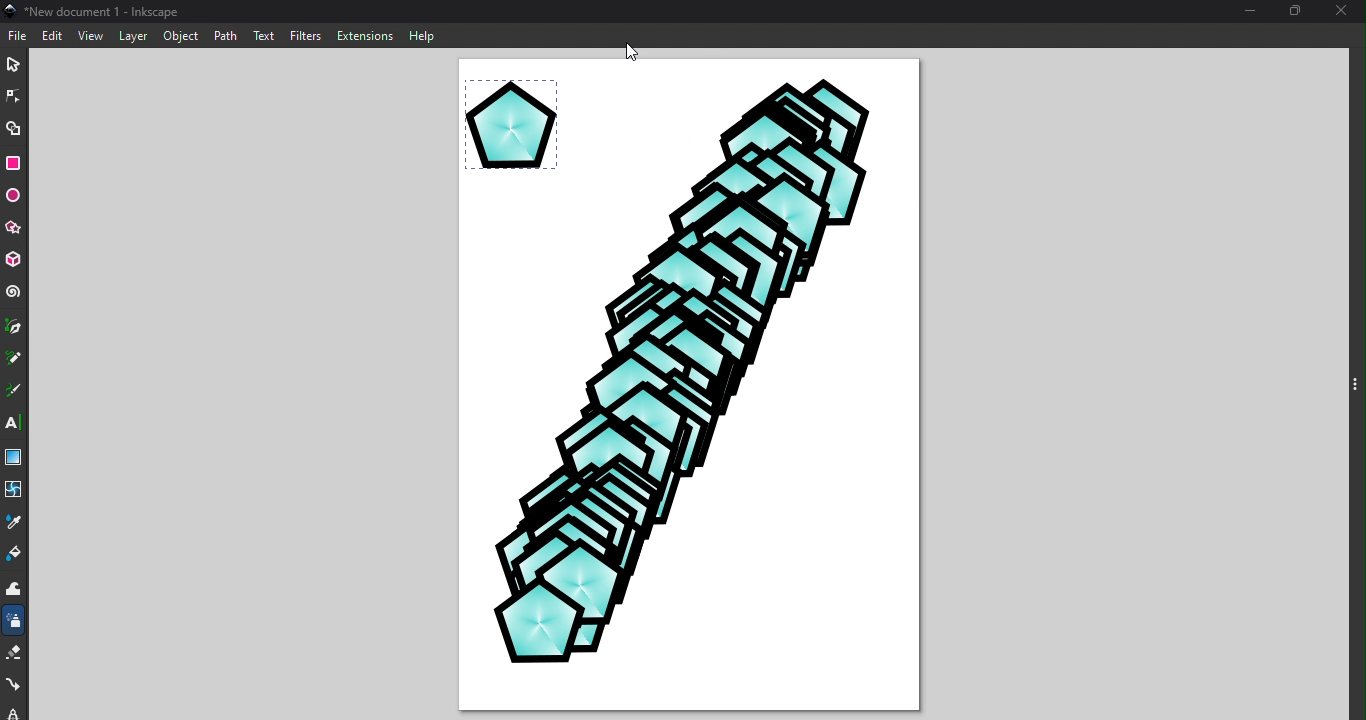 Image resolution: width=1366 pixels, height=720 pixels. I want to click on Path, so click(226, 35).